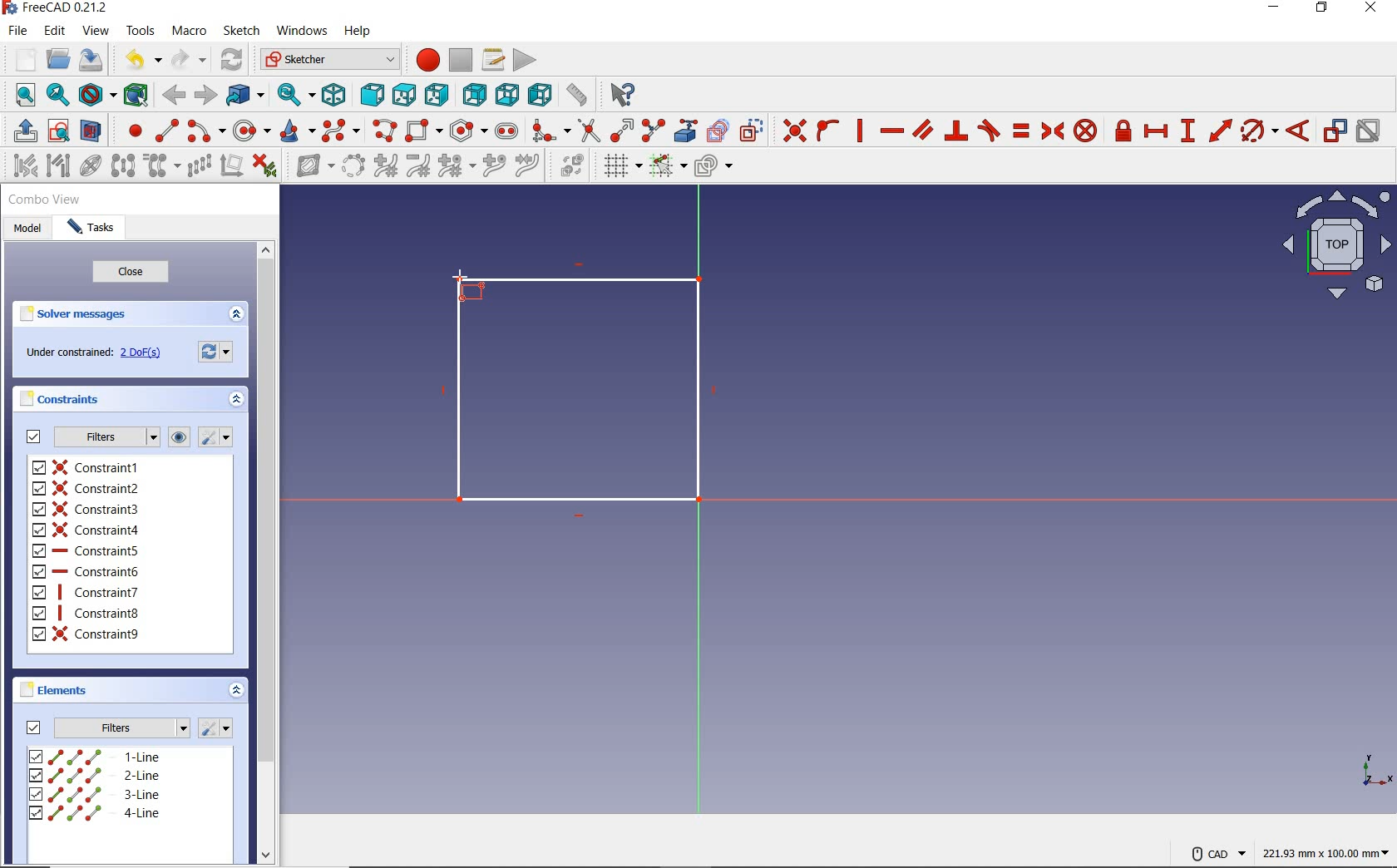 Image resolution: width=1397 pixels, height=868 pixels. What do you see at coordinates (234, 401) in the screenshot?
I see `expand` at bounding box center [234, 401].